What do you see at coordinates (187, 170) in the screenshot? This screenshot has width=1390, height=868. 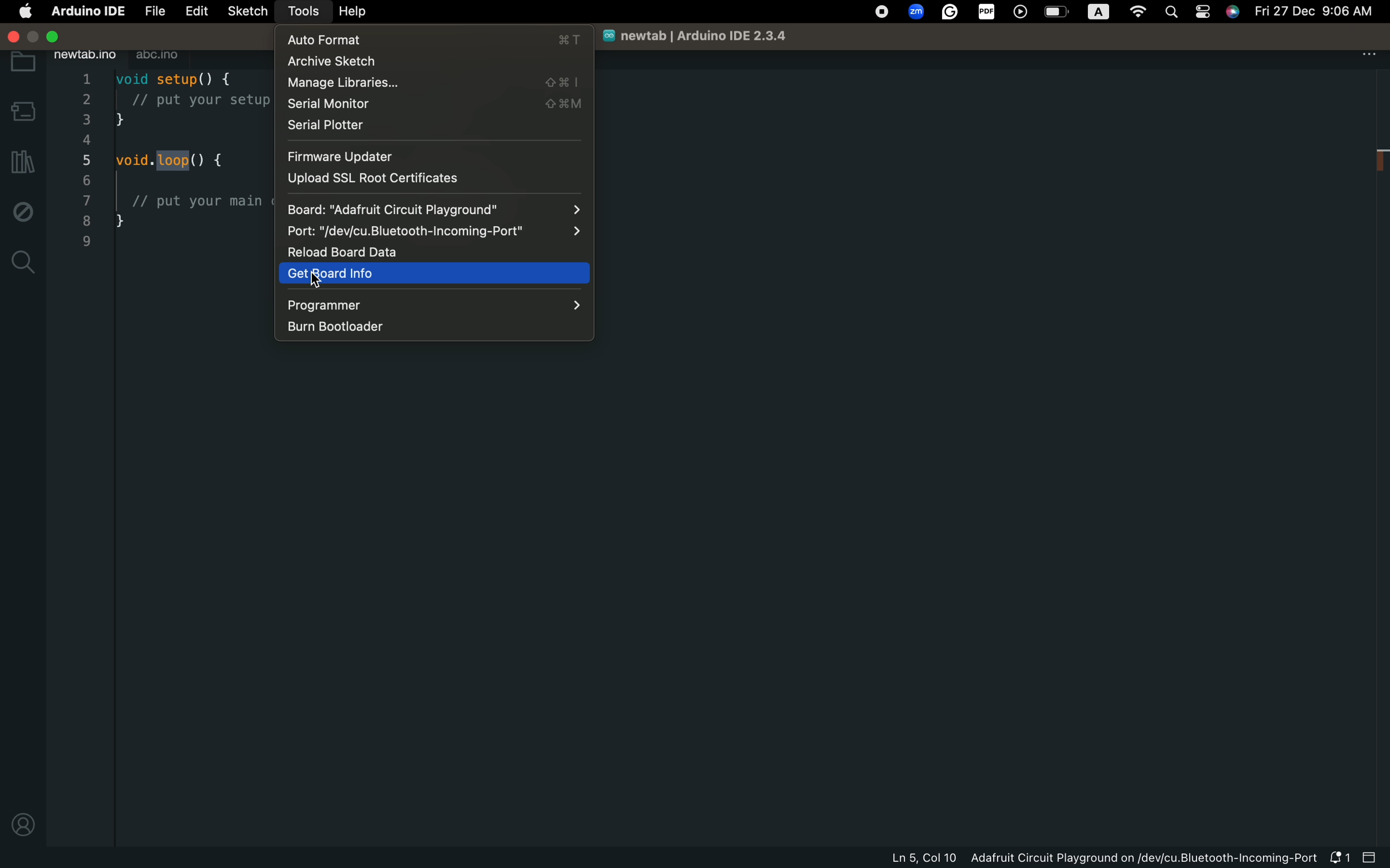 I see `code` at bounding box center [187, 170].